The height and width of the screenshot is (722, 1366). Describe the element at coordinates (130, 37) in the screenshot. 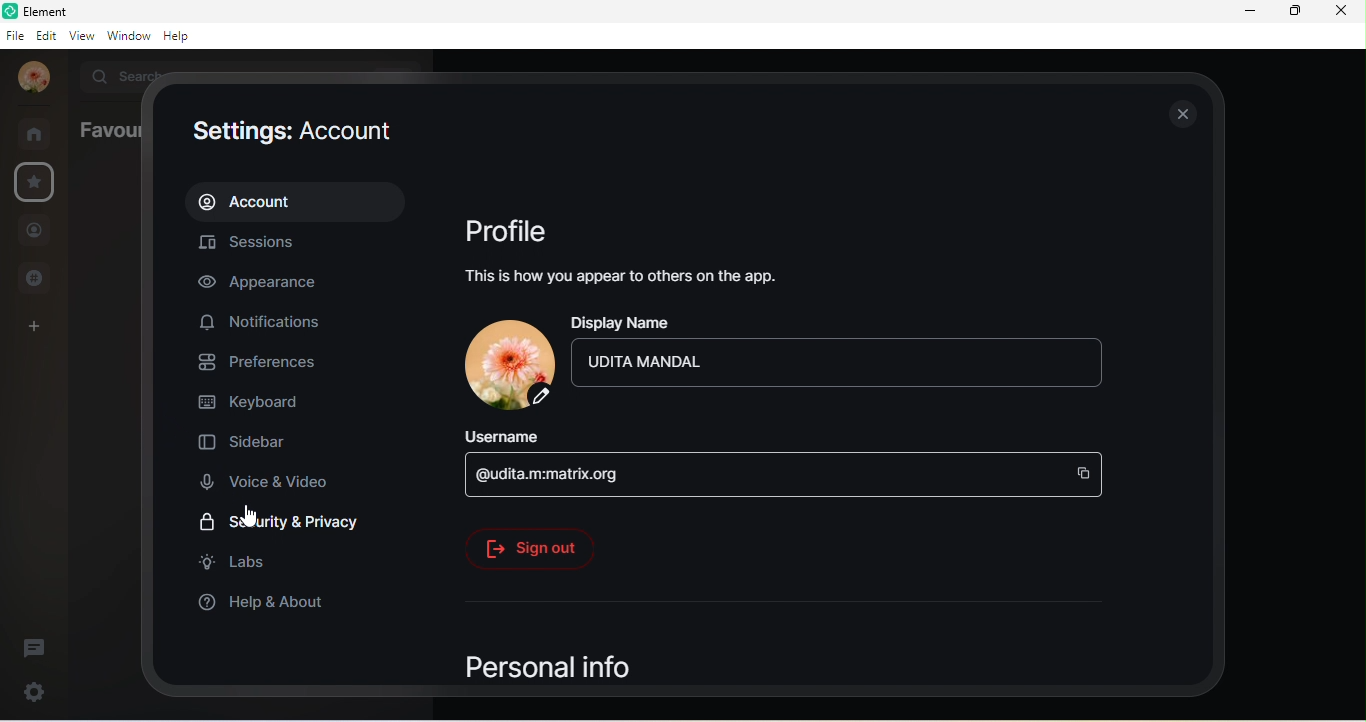

I see `window` at that location.